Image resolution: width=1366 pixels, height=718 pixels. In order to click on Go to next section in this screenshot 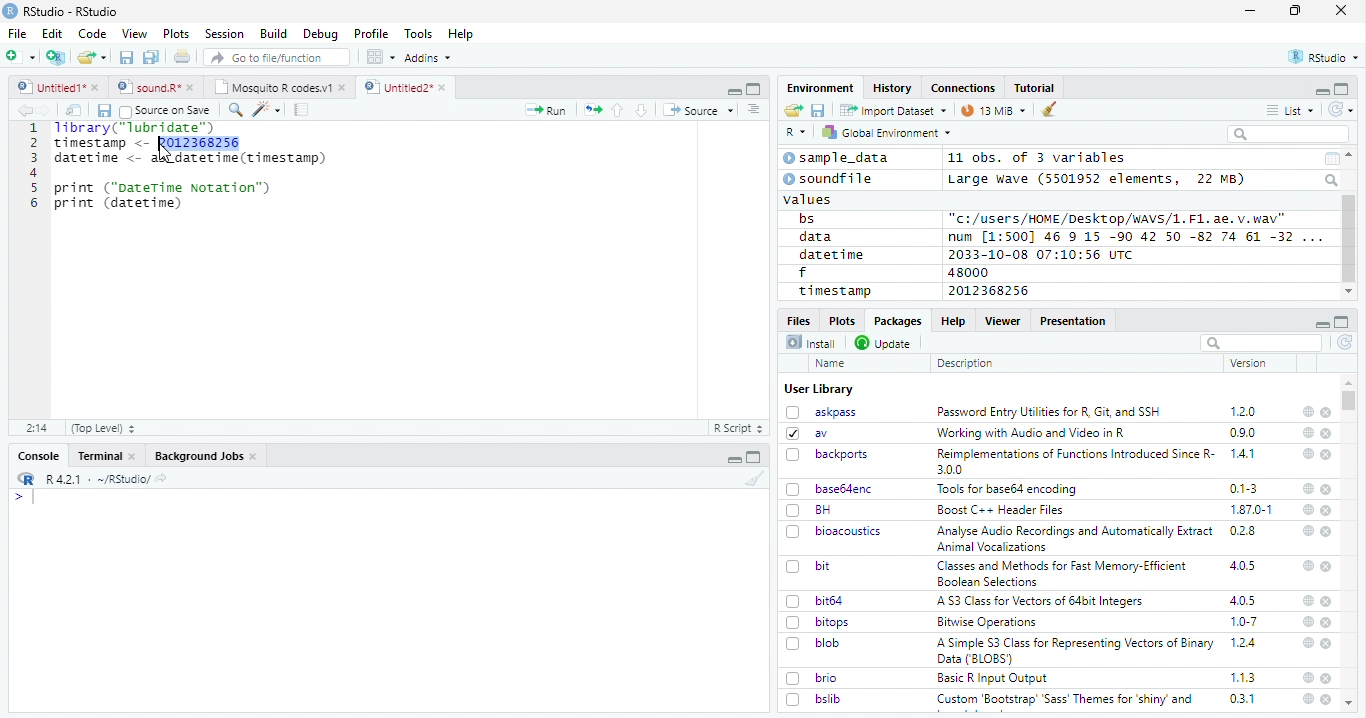, I will do `click(644, 110)`.